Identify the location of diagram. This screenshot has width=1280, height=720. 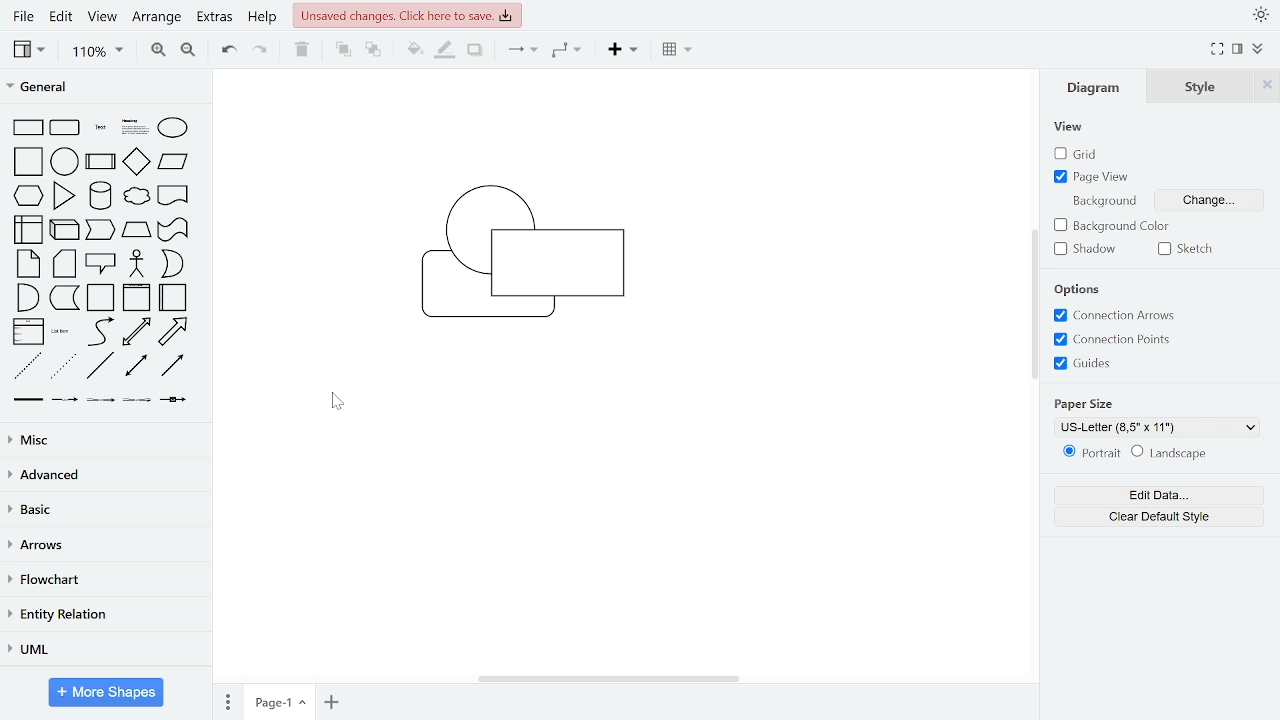
(1093, 89).